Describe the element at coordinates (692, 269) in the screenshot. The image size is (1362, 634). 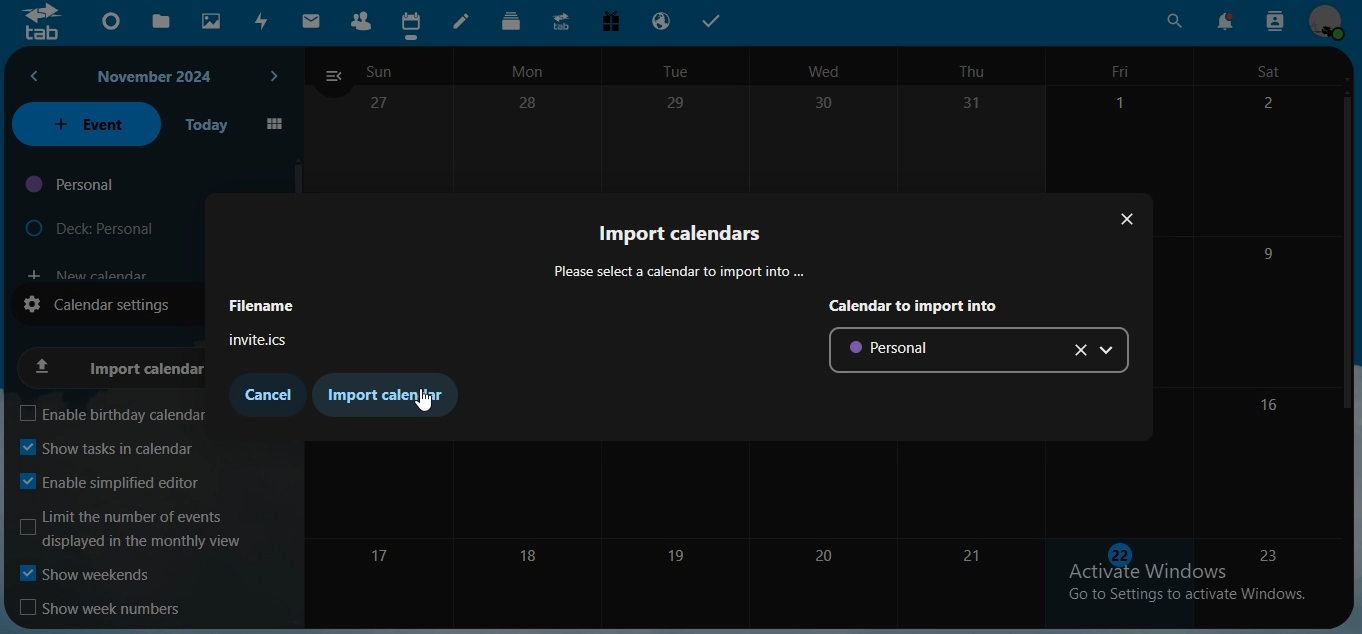
I see `Please select a calendar to import into ...` at that location.